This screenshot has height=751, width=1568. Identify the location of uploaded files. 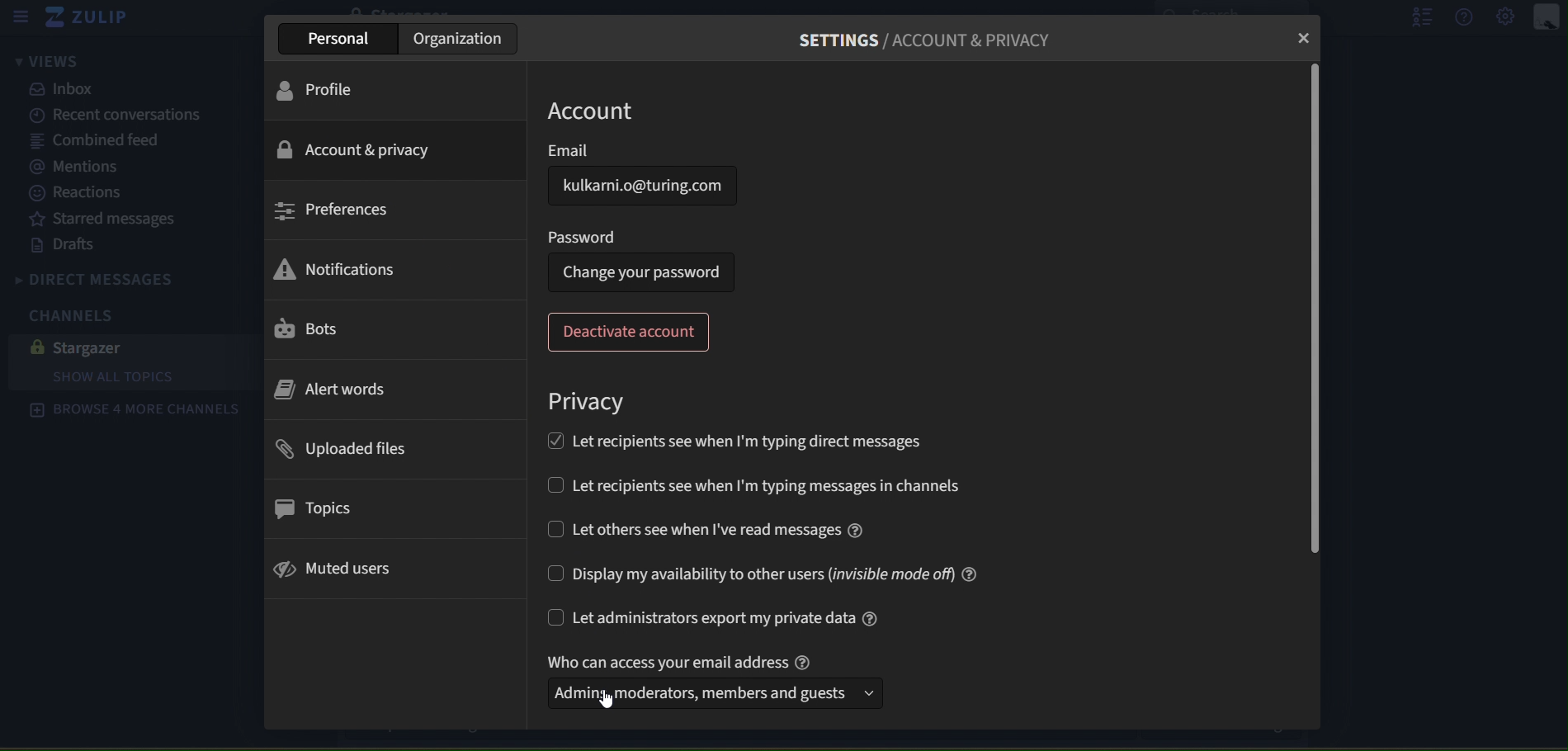
(342, 450).